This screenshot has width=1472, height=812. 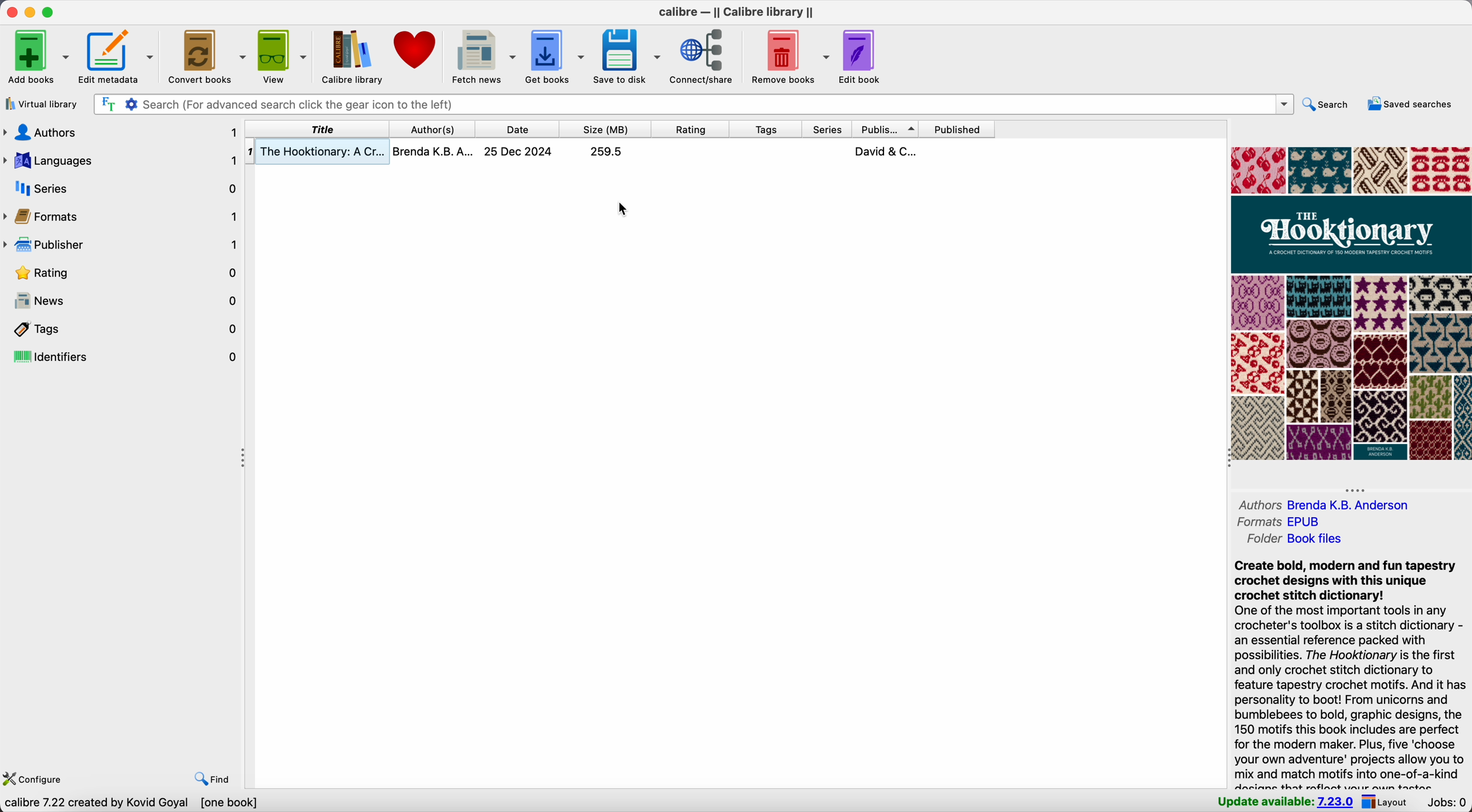 I want to click on rating, so click(x=122, y=275).